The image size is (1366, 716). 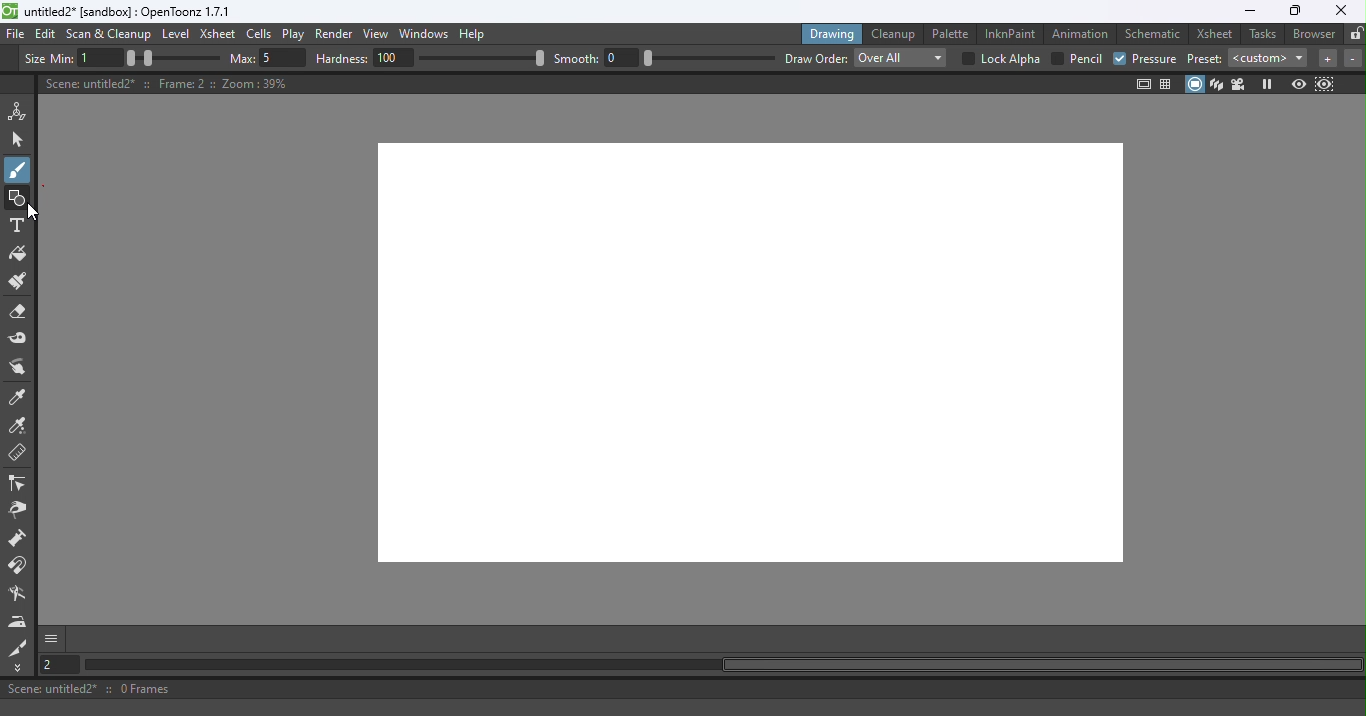 I want to click on max value, so click(x=284, y=57).